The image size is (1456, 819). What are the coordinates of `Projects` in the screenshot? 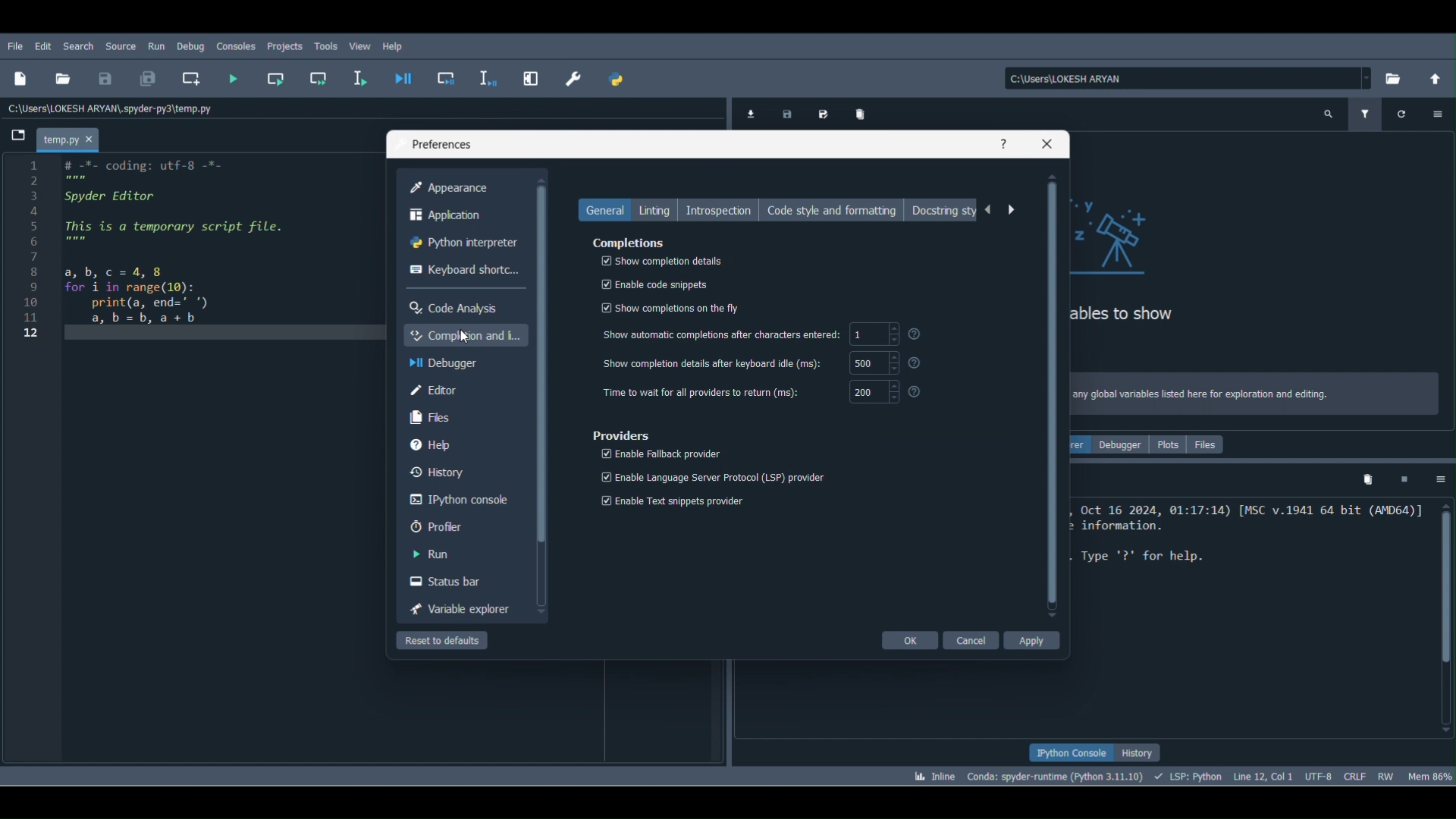 It's located at (285, 47).